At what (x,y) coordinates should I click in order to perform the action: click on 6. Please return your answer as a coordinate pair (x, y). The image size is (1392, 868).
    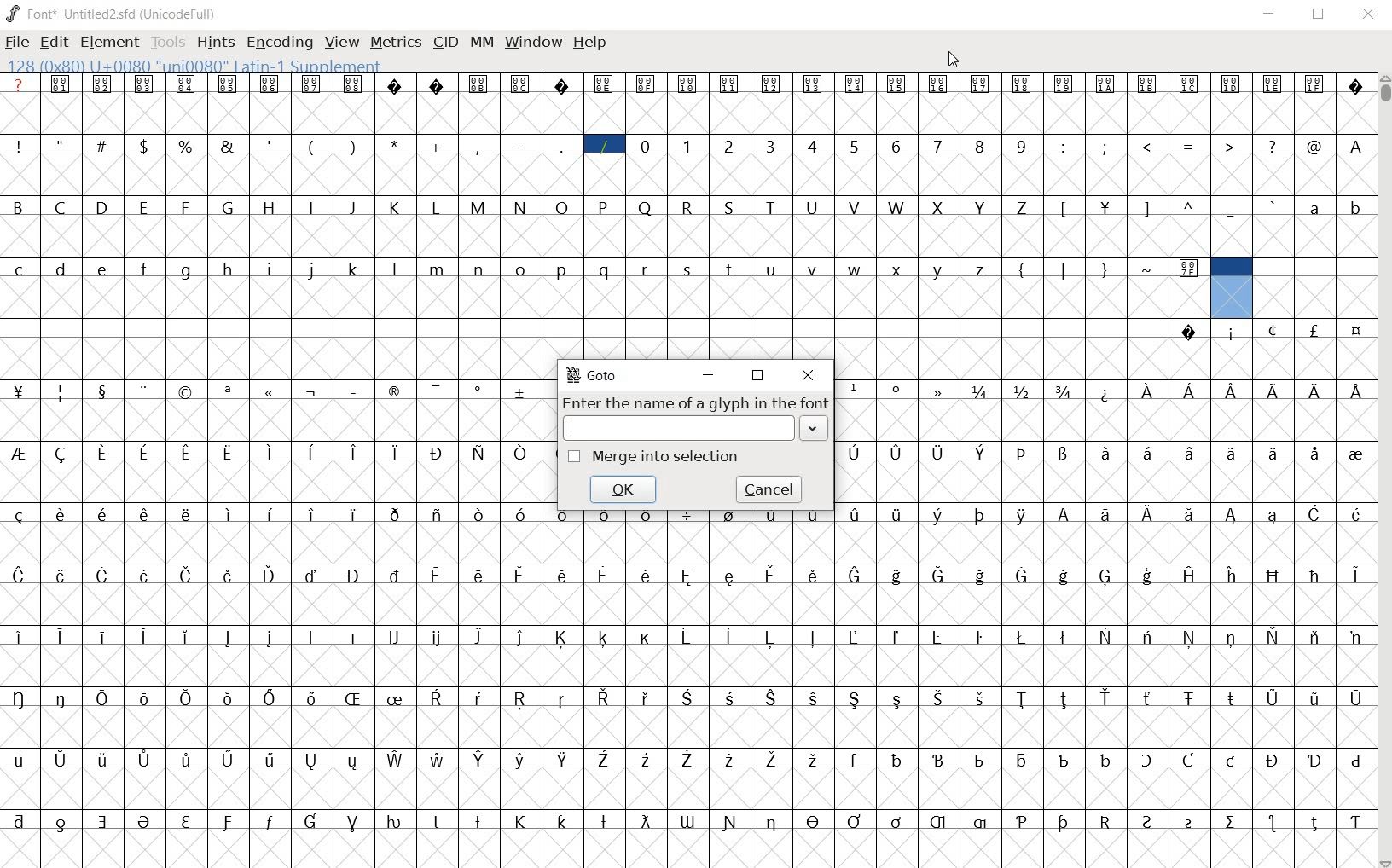
    Looking at the image, I should click on (897, 146).